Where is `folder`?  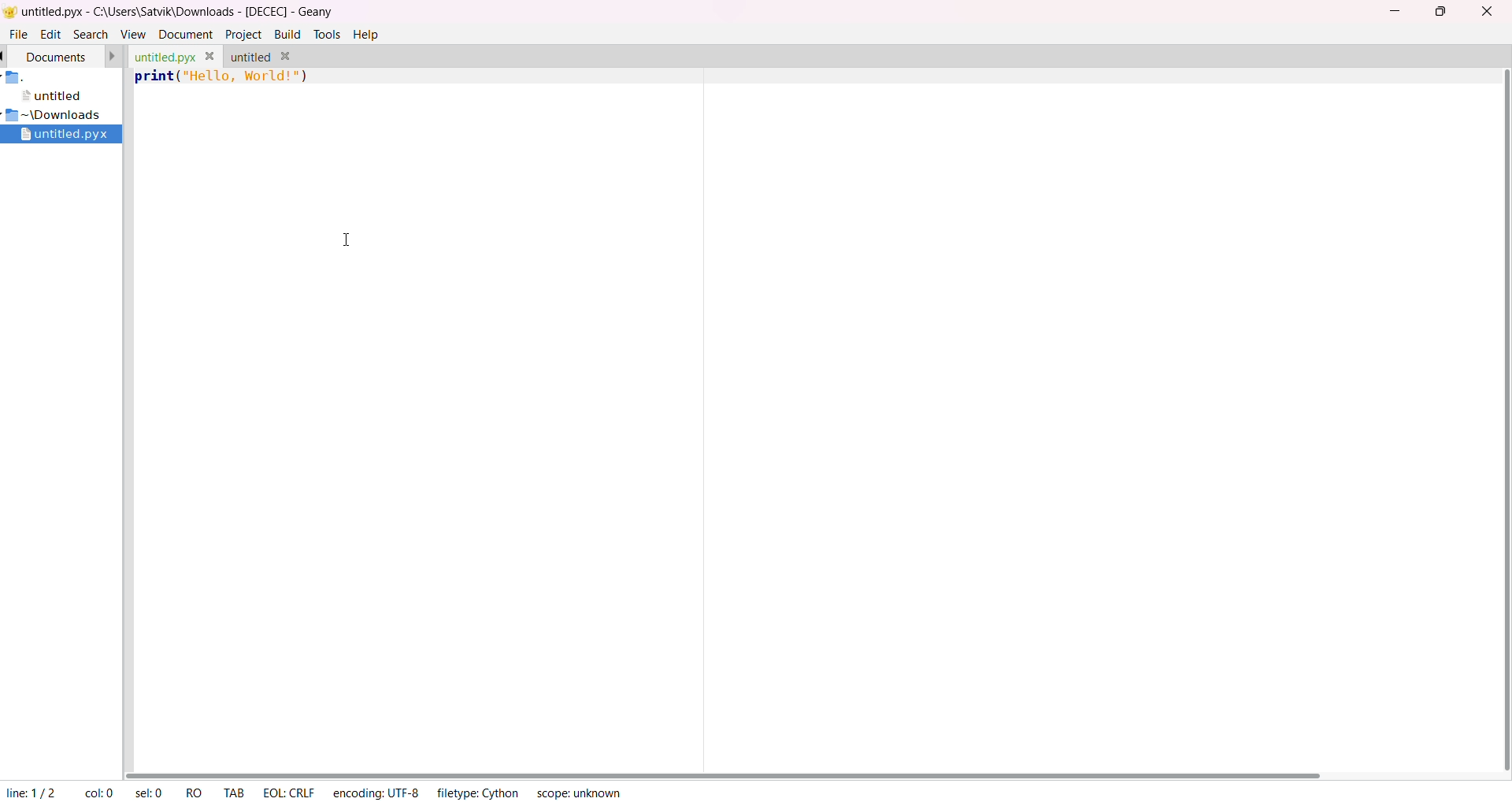
folder is located at coordinates (15, 78).